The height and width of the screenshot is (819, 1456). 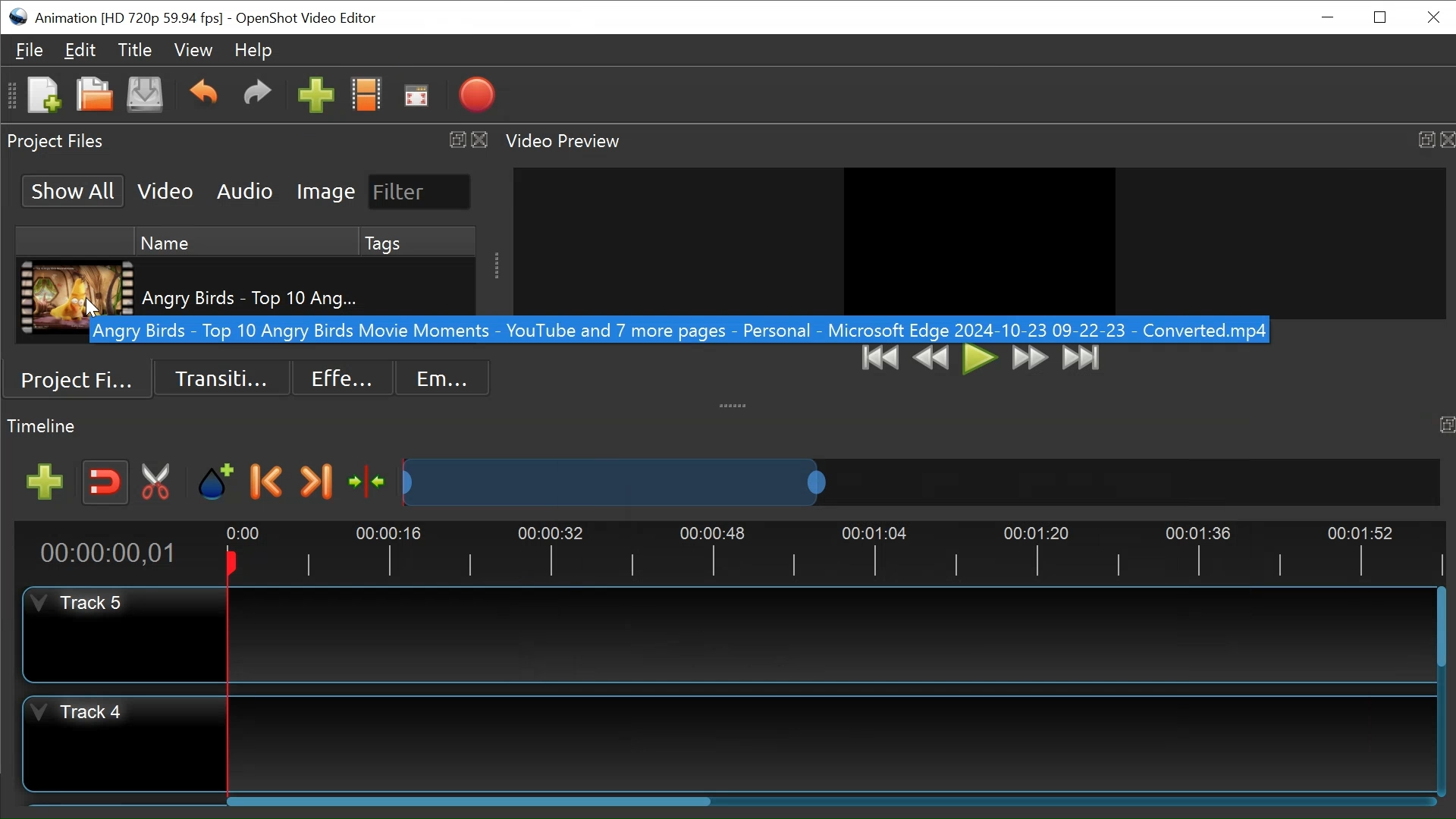 What do you see at coordinates (268, 482) in the screenshot?
I see `Previous Marker` at bounding box center [268, 482].